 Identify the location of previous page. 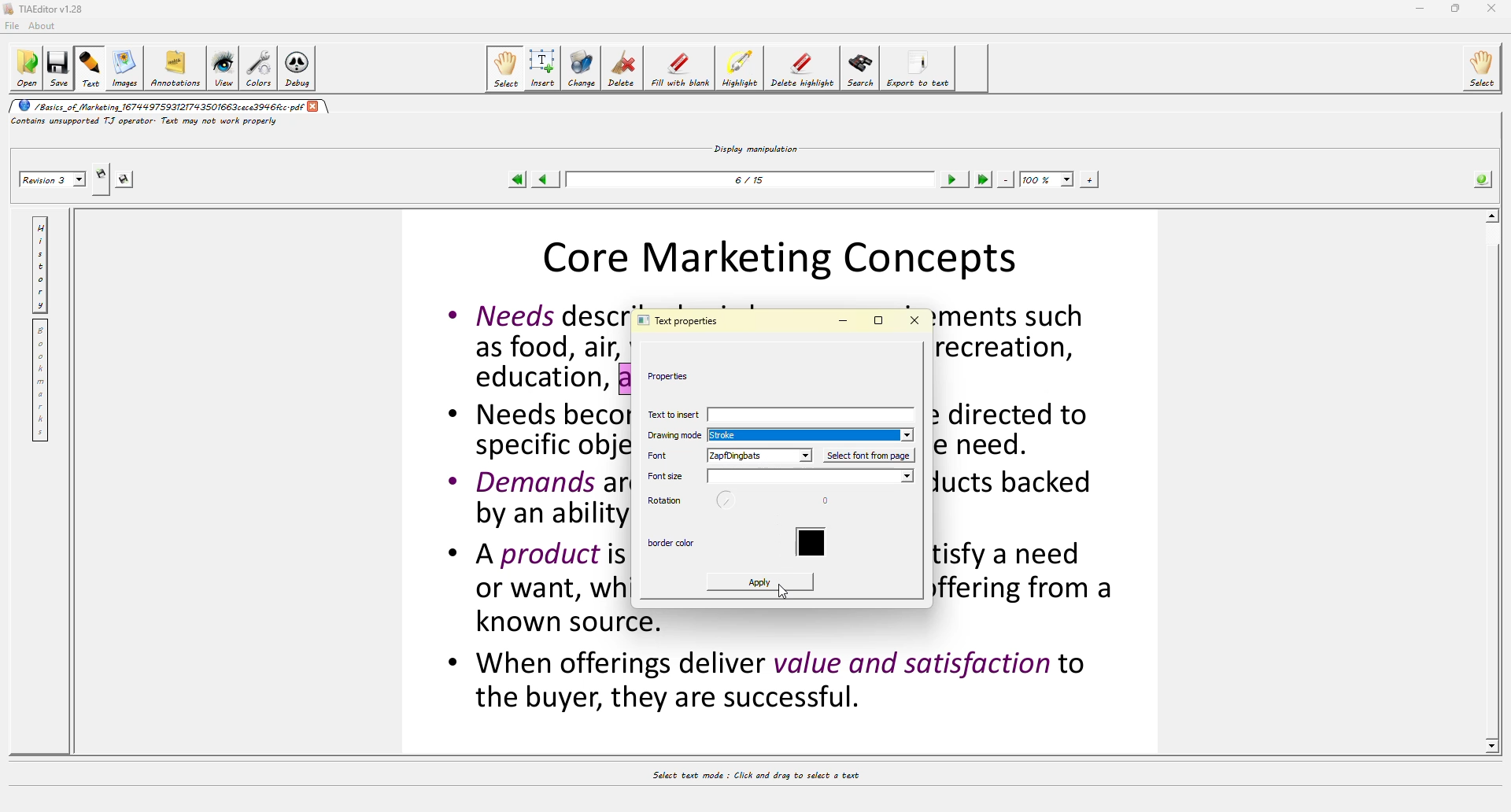
(541, 179).